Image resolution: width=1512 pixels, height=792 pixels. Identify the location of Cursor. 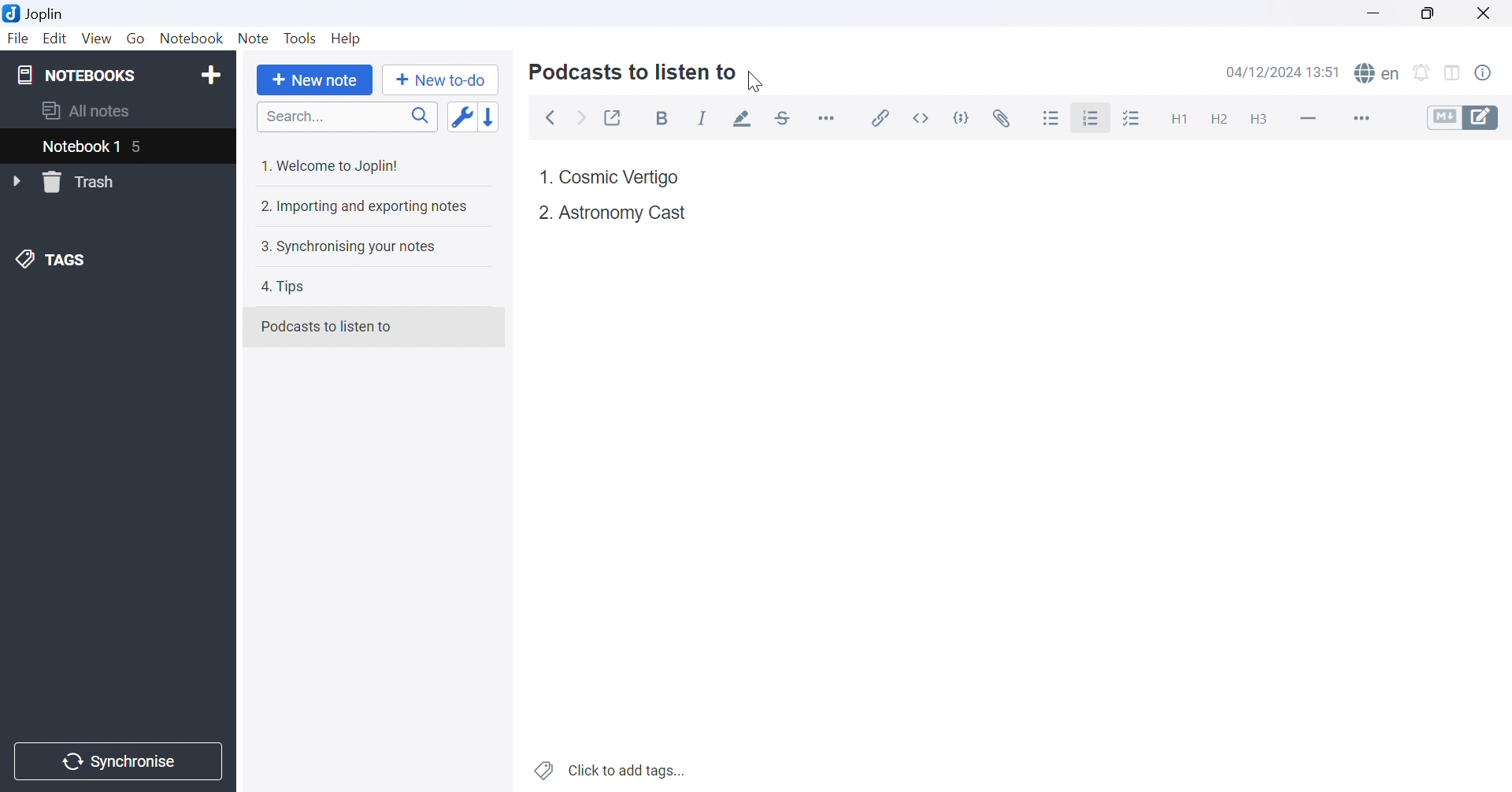
(1089, 123).